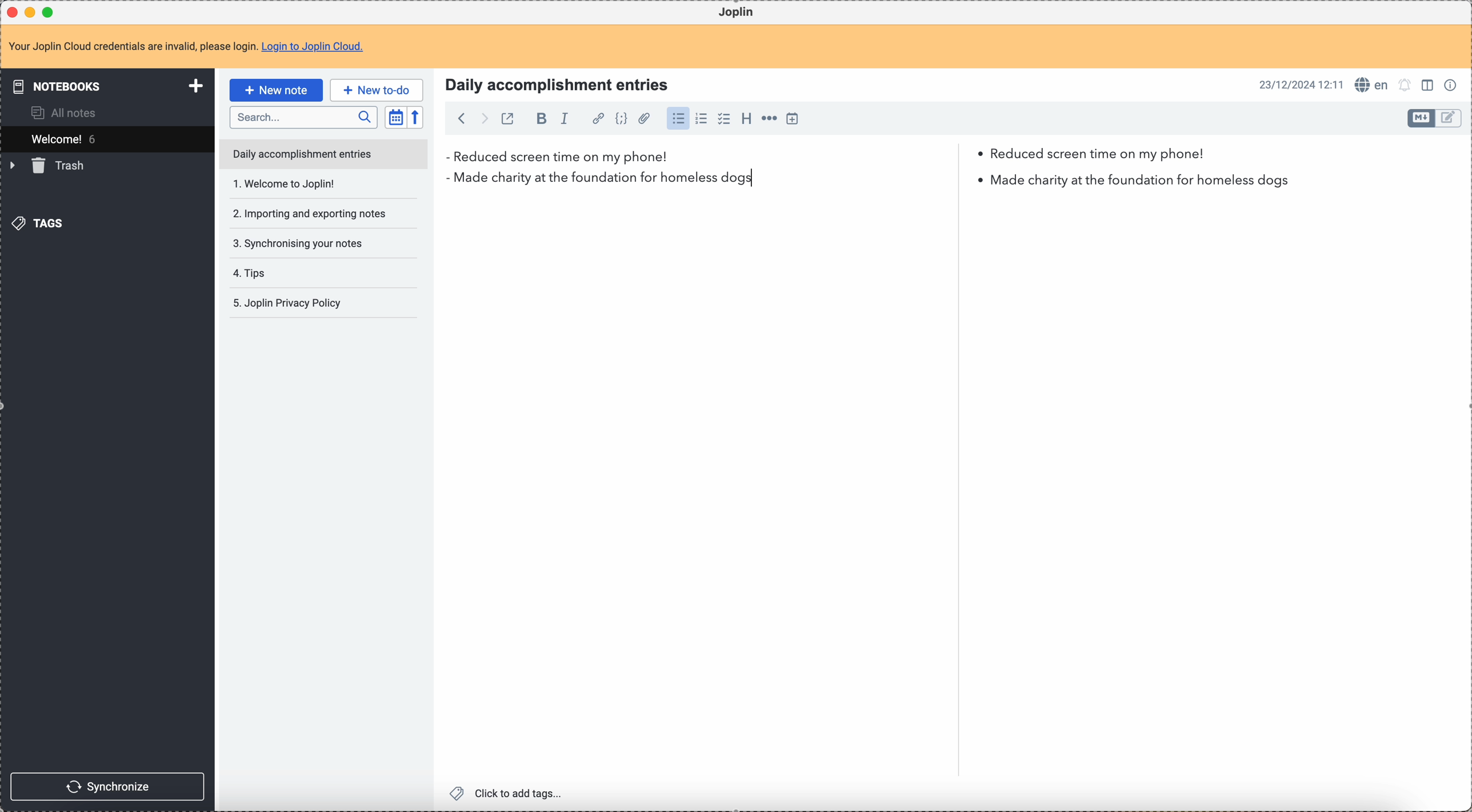  I want to click on note properties, so click(1451, 86).